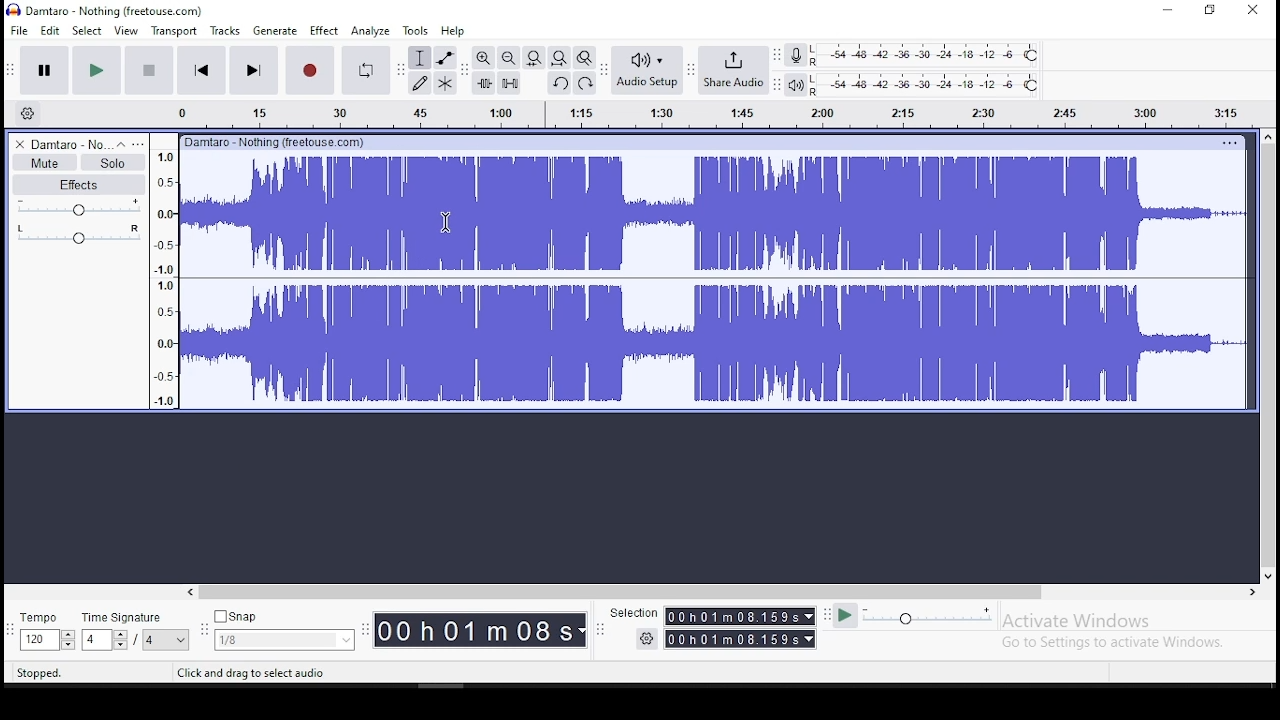 The width and height of the screenshot is (1280, 720). Describe the element at coordinates (311, 71) in the screenshot. I see `record` at that location.